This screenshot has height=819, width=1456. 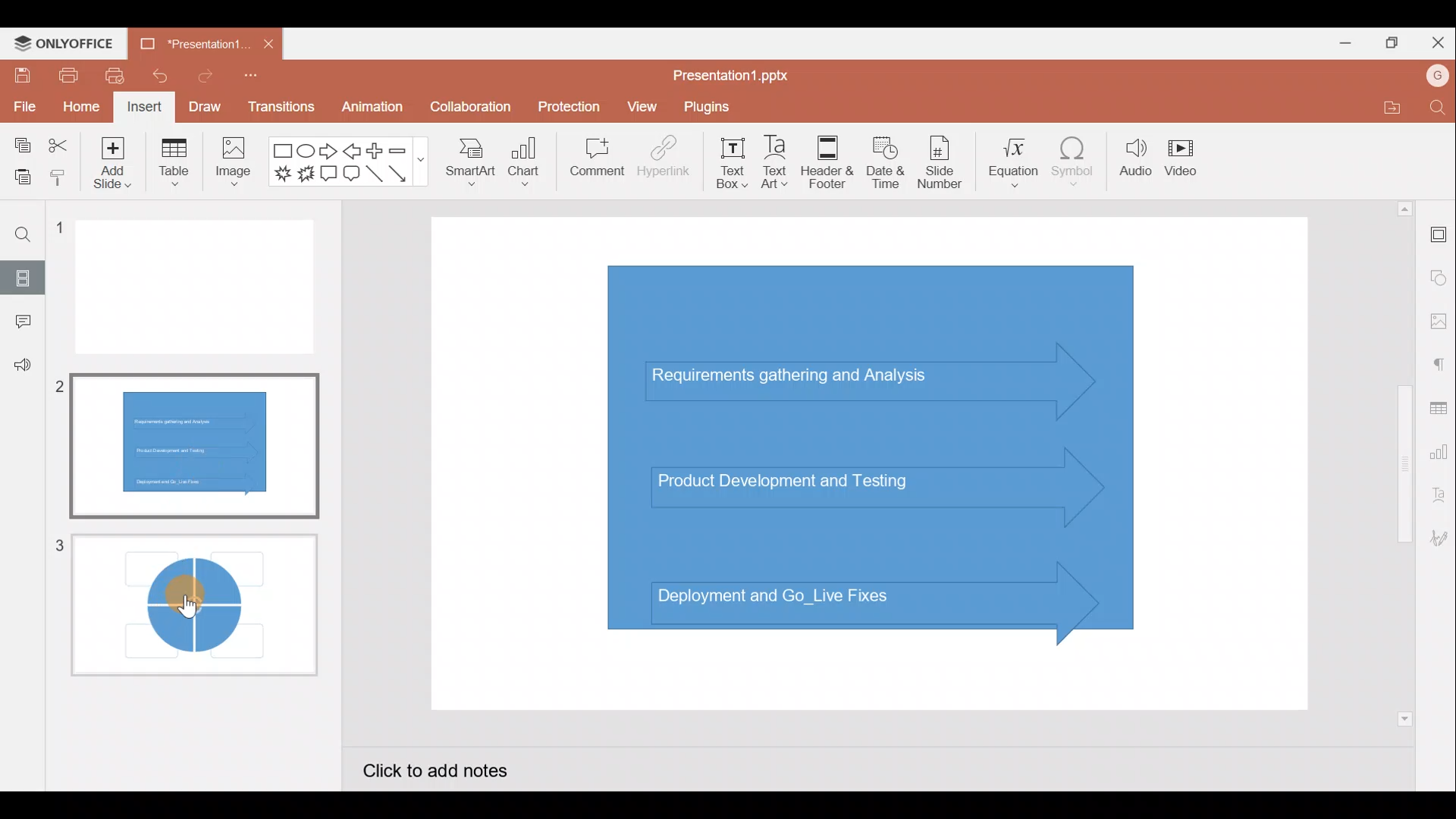 I want to click on Rectangular callout, so click(x=328, y=173).